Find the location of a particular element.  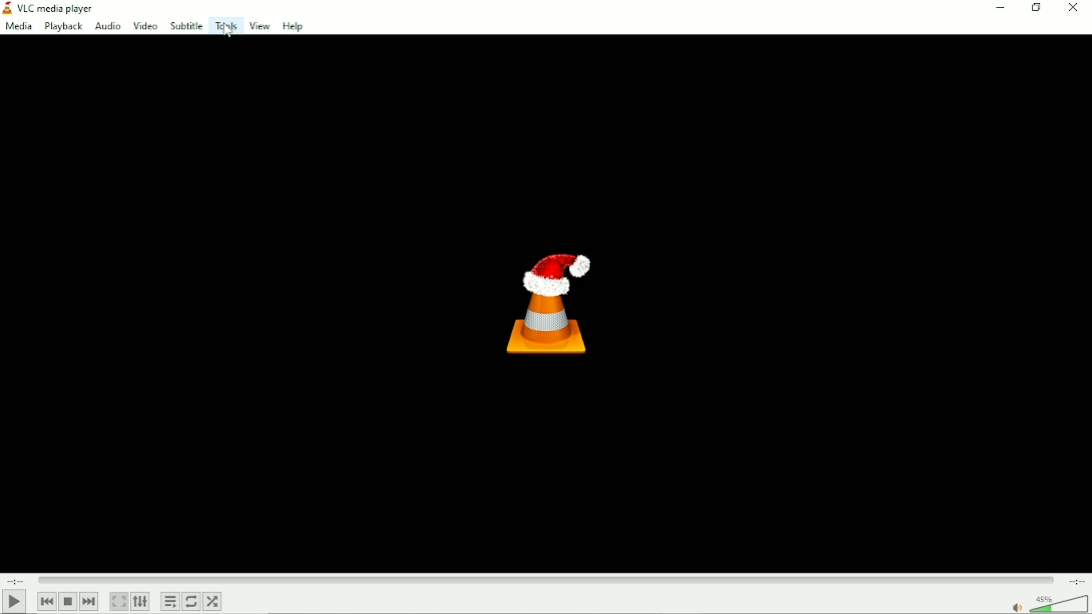

Toggle playlist is located at coordinates (170, 602).